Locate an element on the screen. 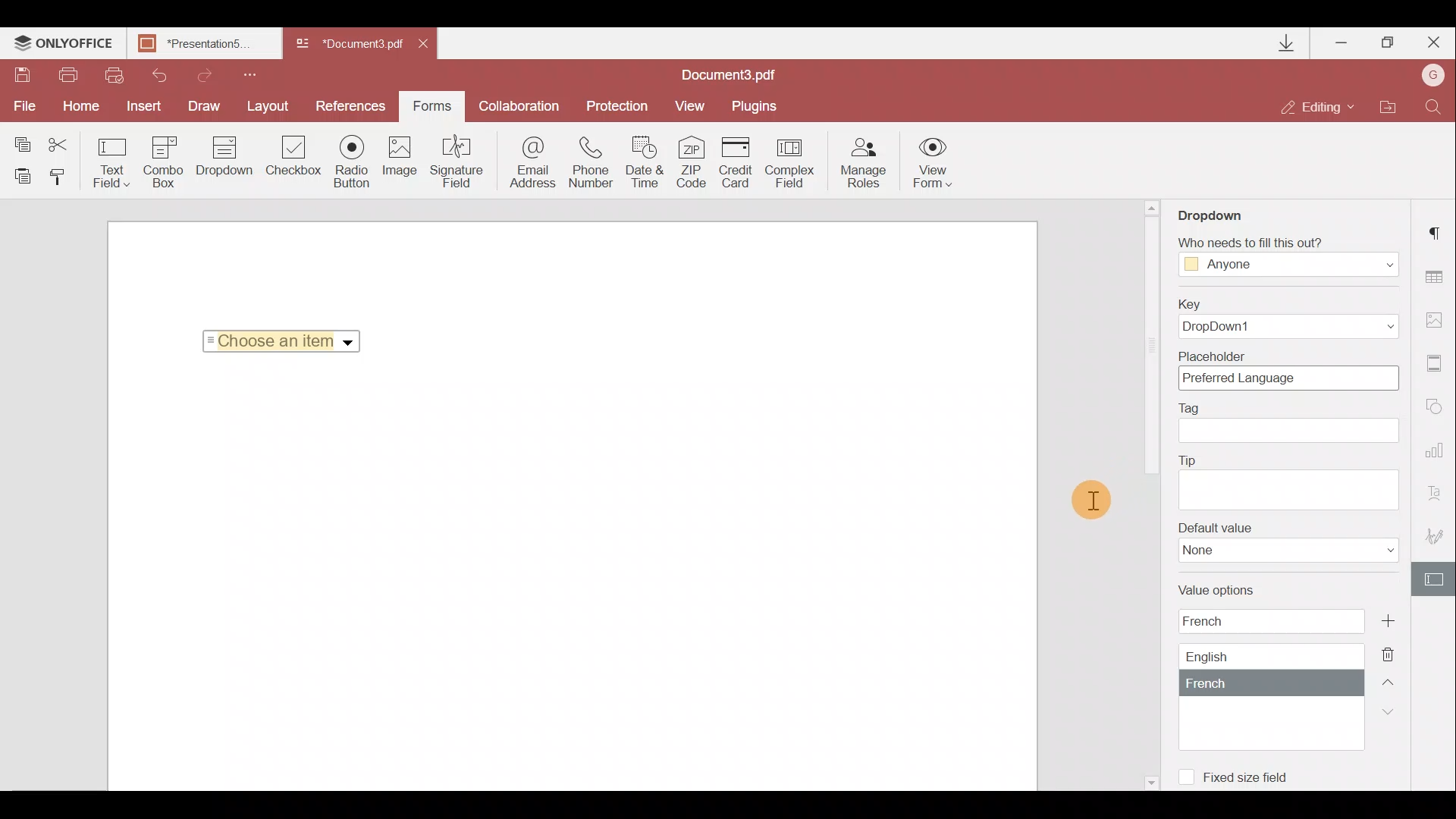 The height and width of the screenshot is (819, 1456). Credit card is located at coordinates (740, 160).